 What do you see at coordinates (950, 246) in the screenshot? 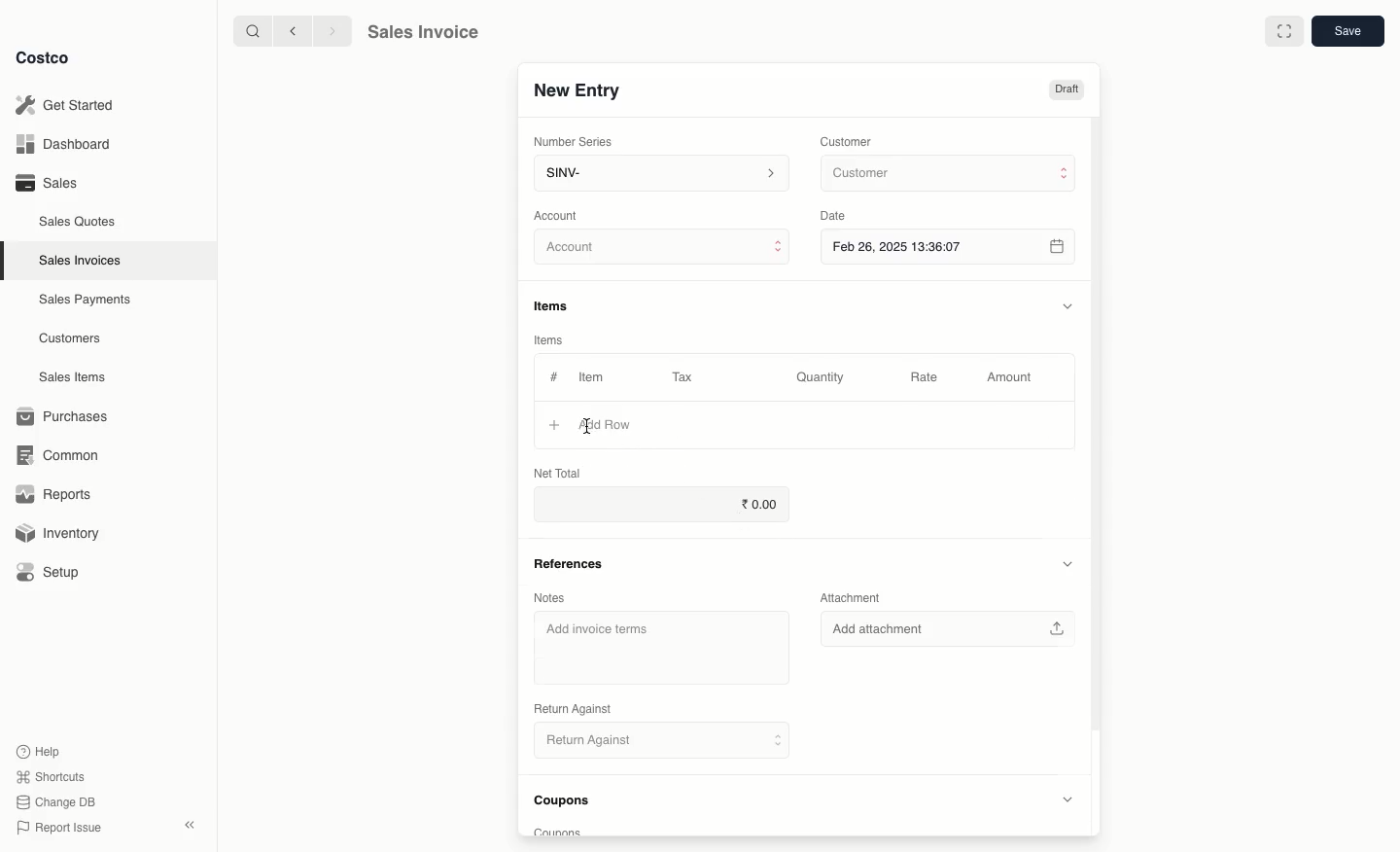
I see `Feb 26, 2025 13:36:07` at bounding box center [950, 246].